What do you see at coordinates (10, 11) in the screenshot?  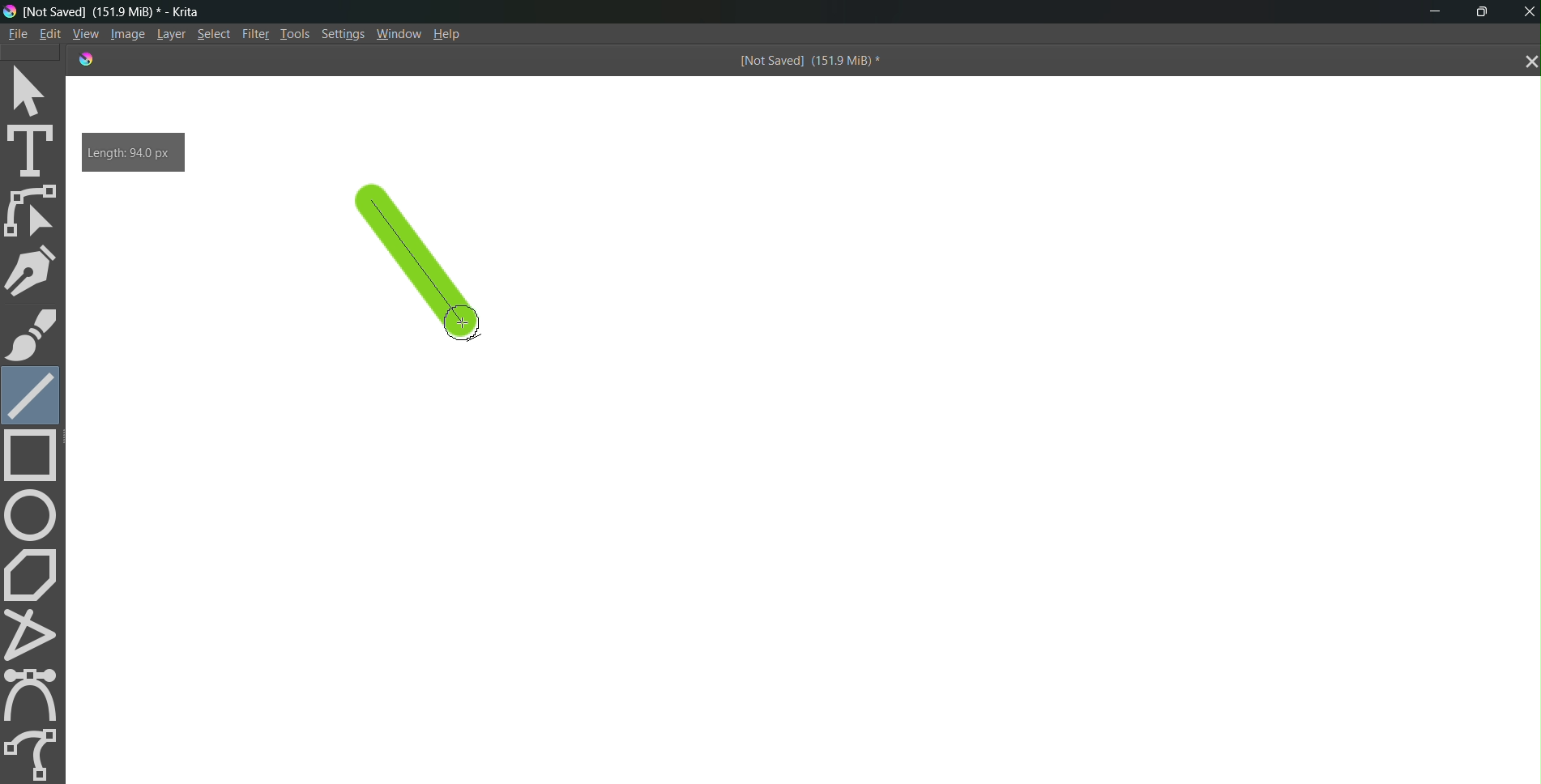 I see `logo` at bounding box center [10, 11].